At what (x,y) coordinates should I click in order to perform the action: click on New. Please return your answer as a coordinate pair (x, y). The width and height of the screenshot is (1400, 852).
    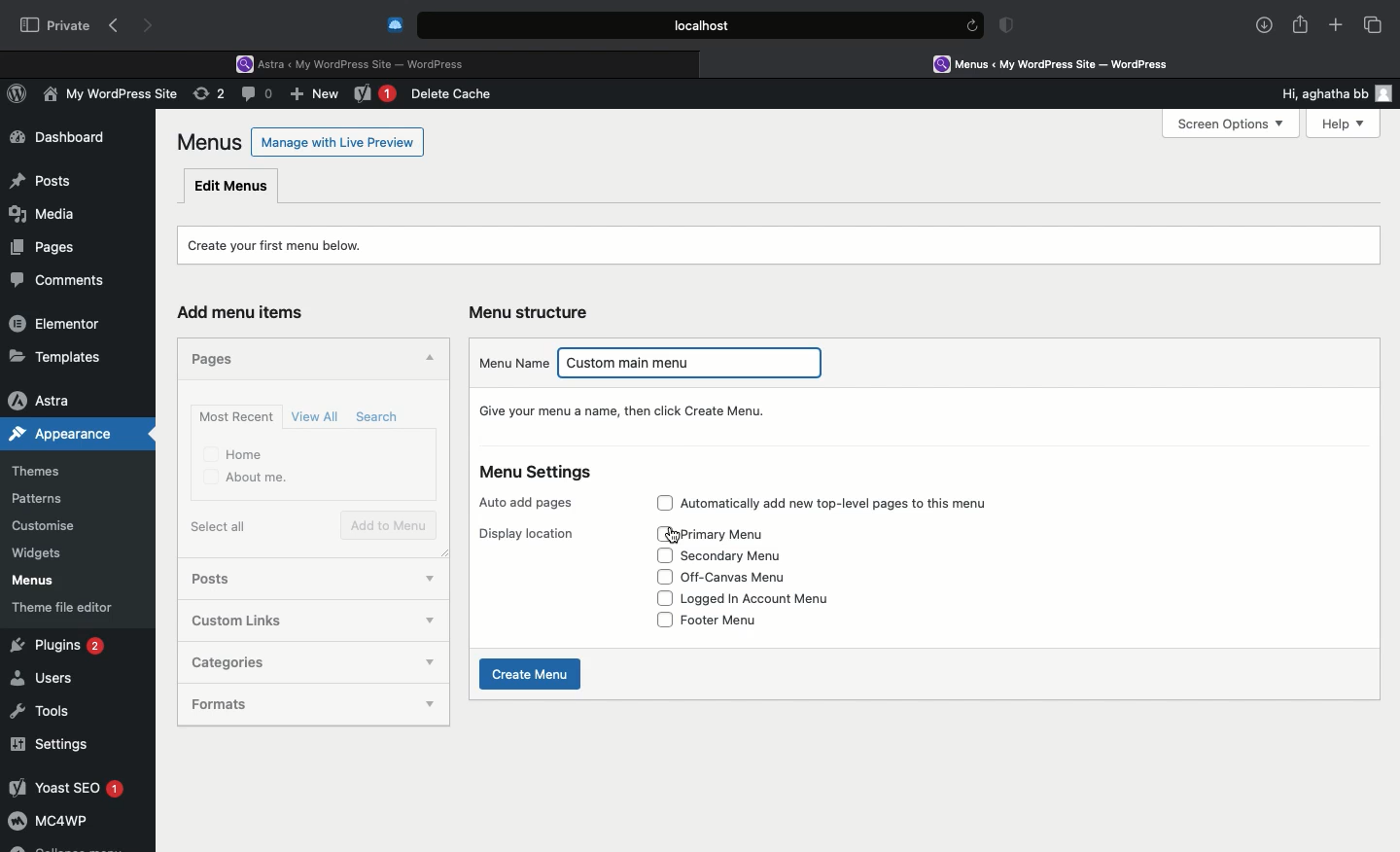
    Looking at the image, I should click on (375, 95).